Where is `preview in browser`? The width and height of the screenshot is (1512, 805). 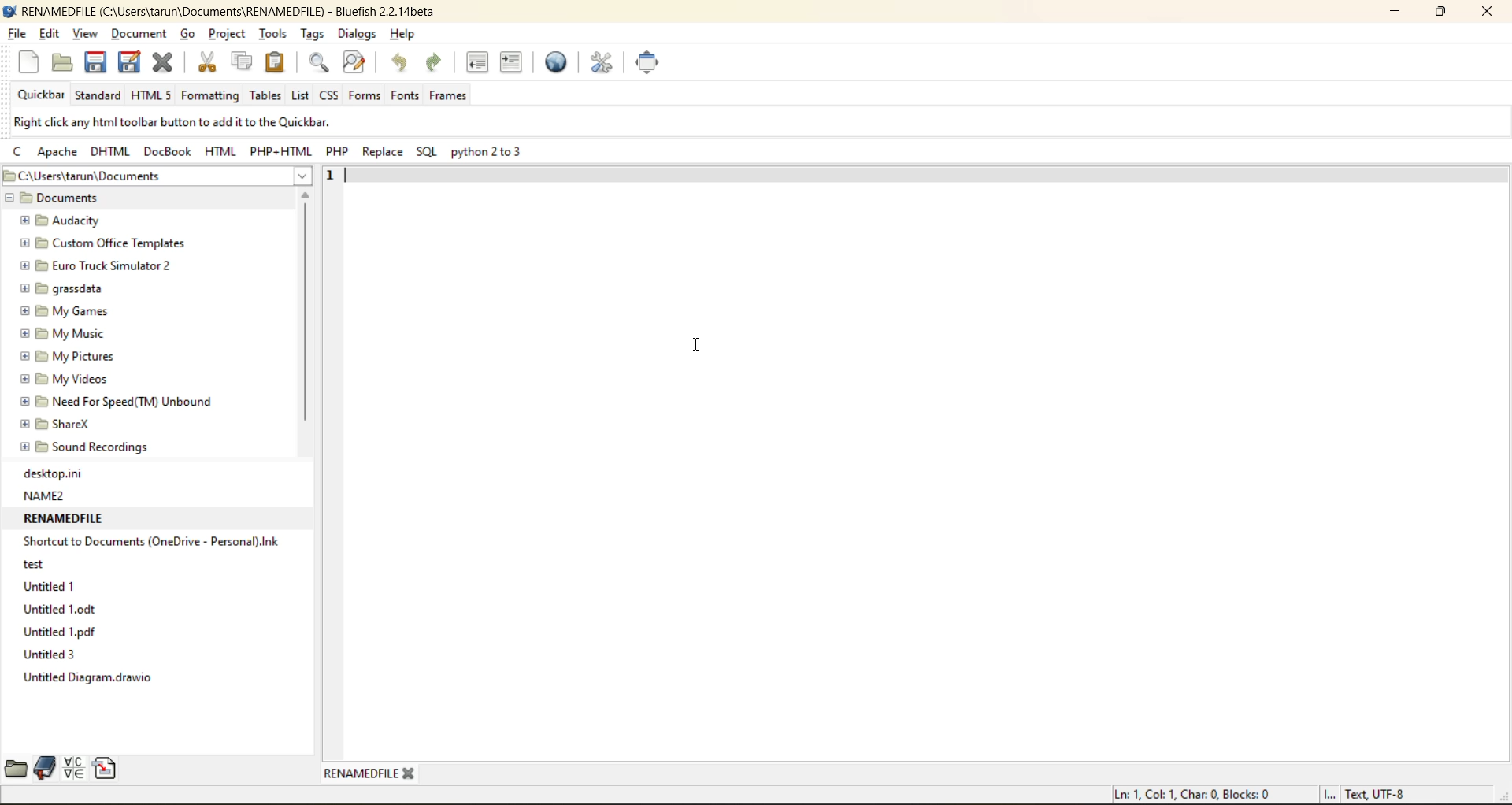
preview in browser is located at coordinates (556, 62).